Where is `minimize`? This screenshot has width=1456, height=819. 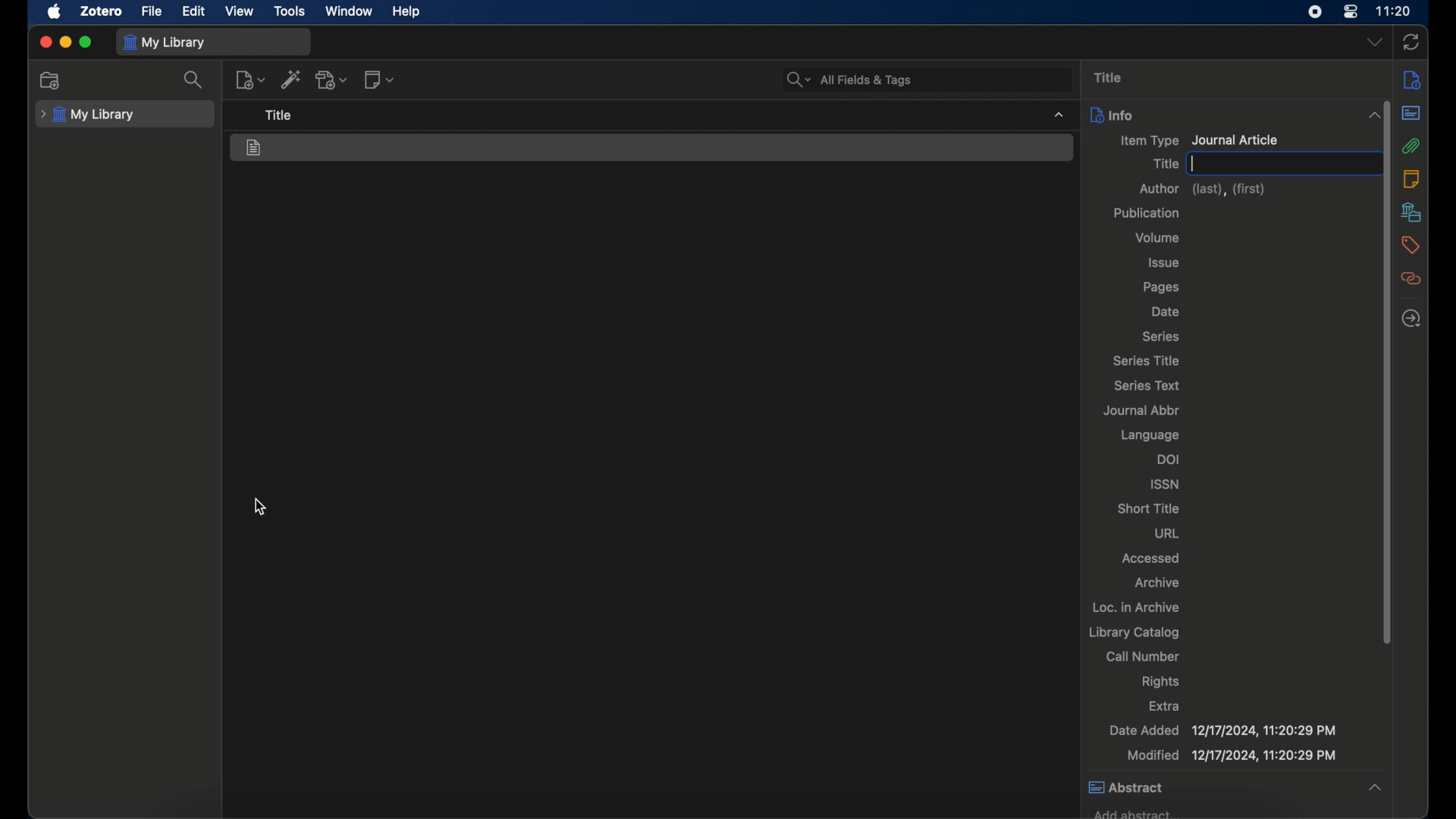
minimize is located at coordinates (64, 41).